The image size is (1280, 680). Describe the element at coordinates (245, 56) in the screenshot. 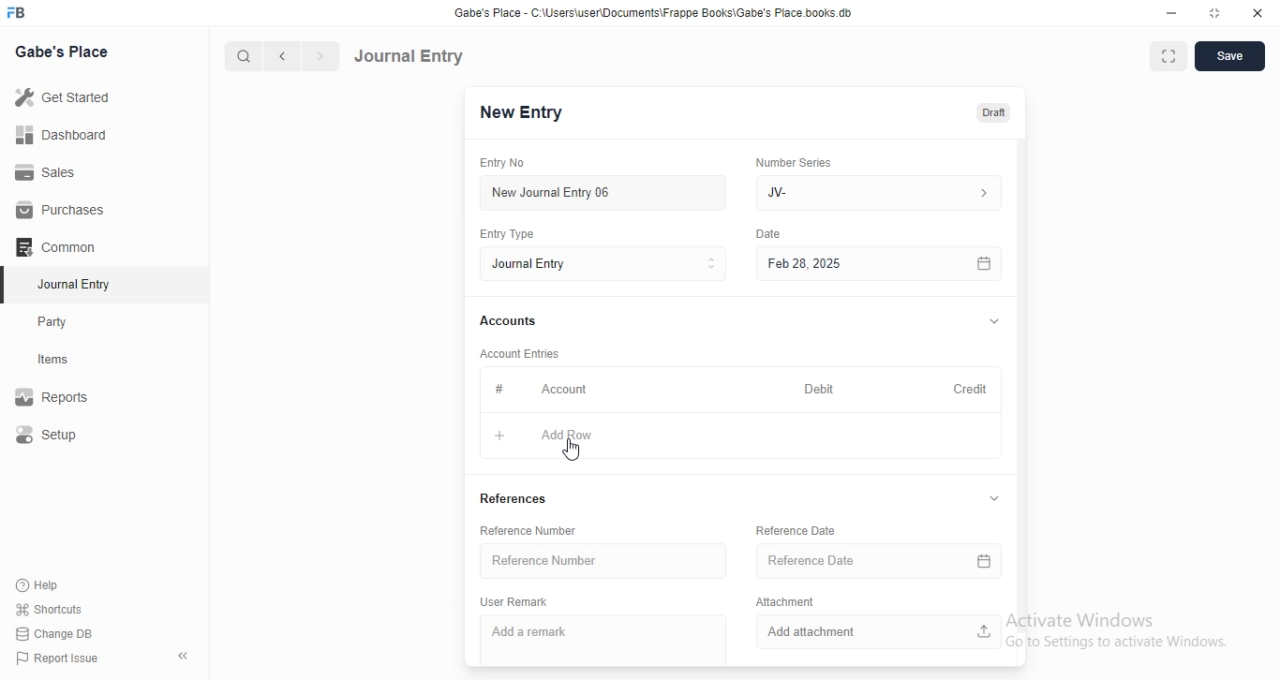

I see `search` at that location.